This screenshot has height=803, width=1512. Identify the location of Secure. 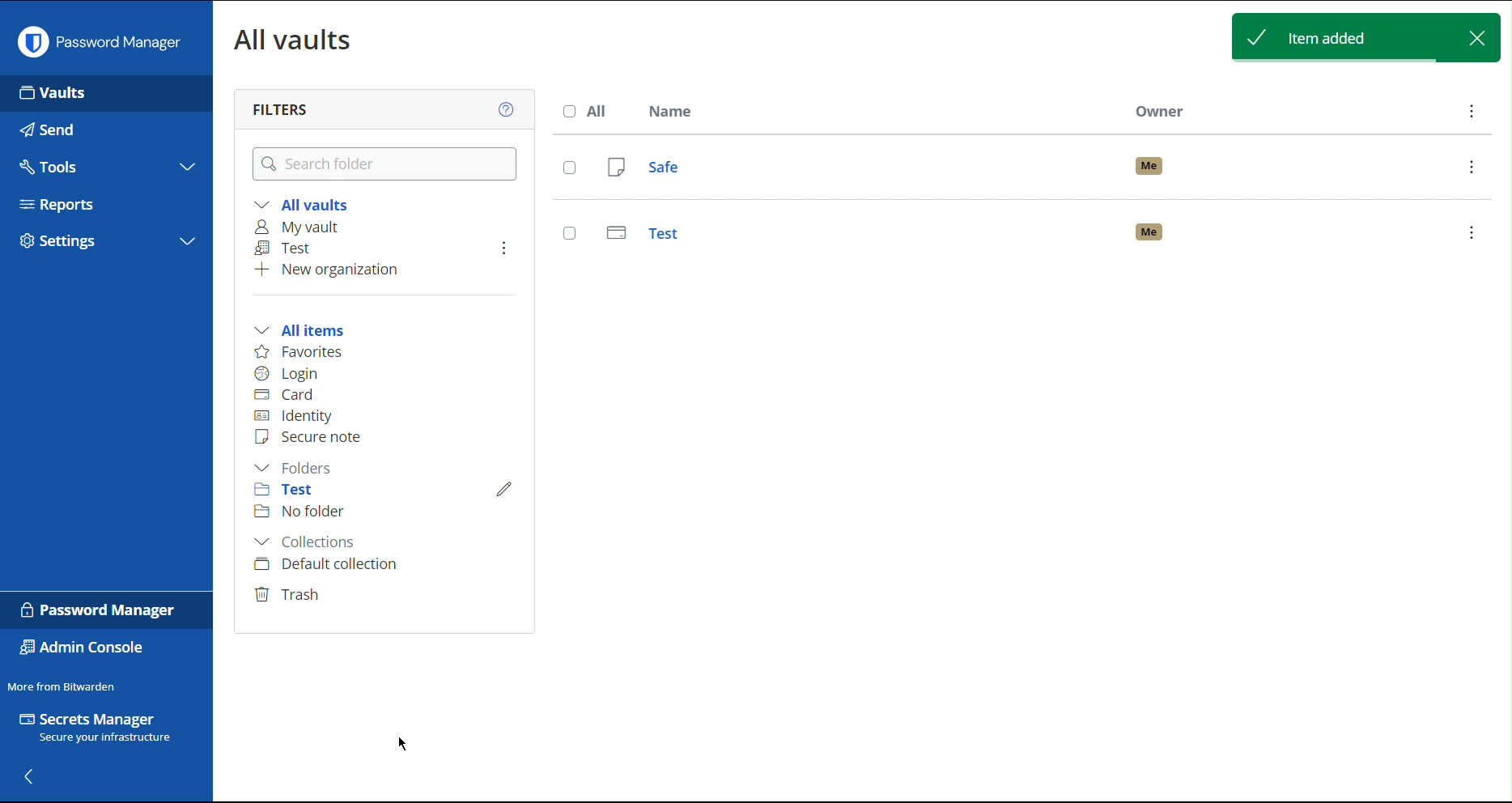
(312, 437).